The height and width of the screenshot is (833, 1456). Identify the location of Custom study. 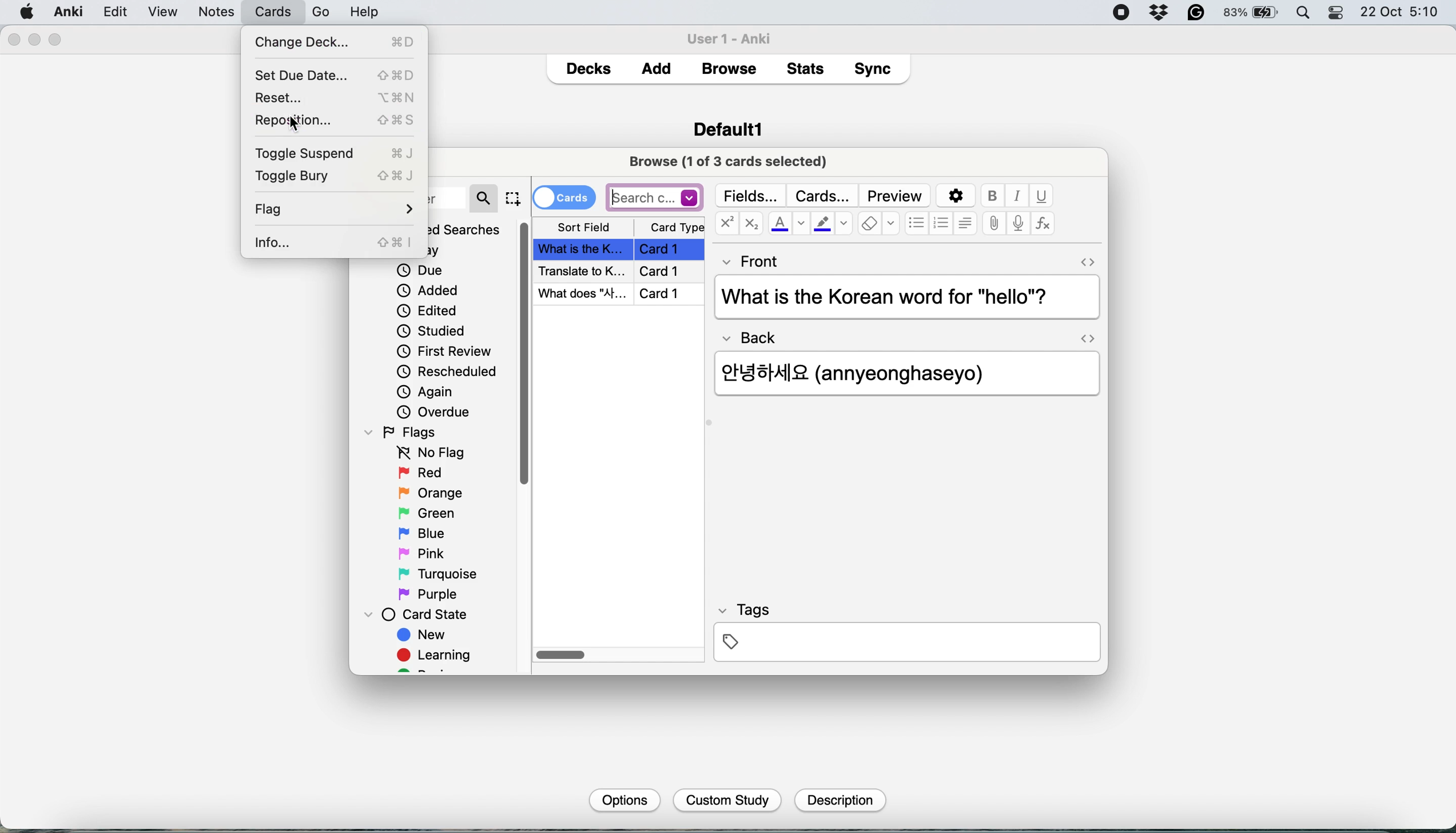
(728, 801).